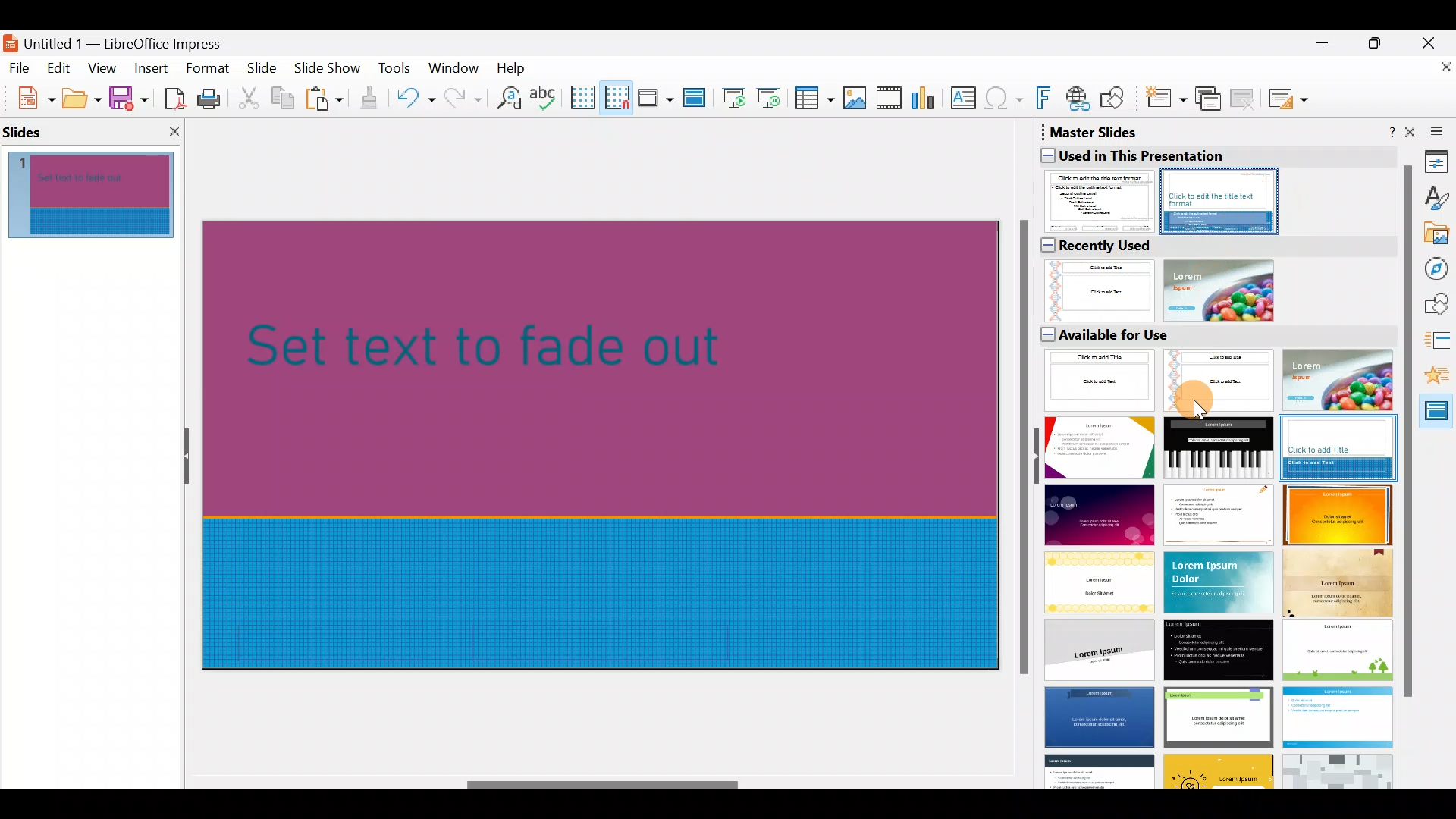  I want to click on Display views, so click(654, 97).